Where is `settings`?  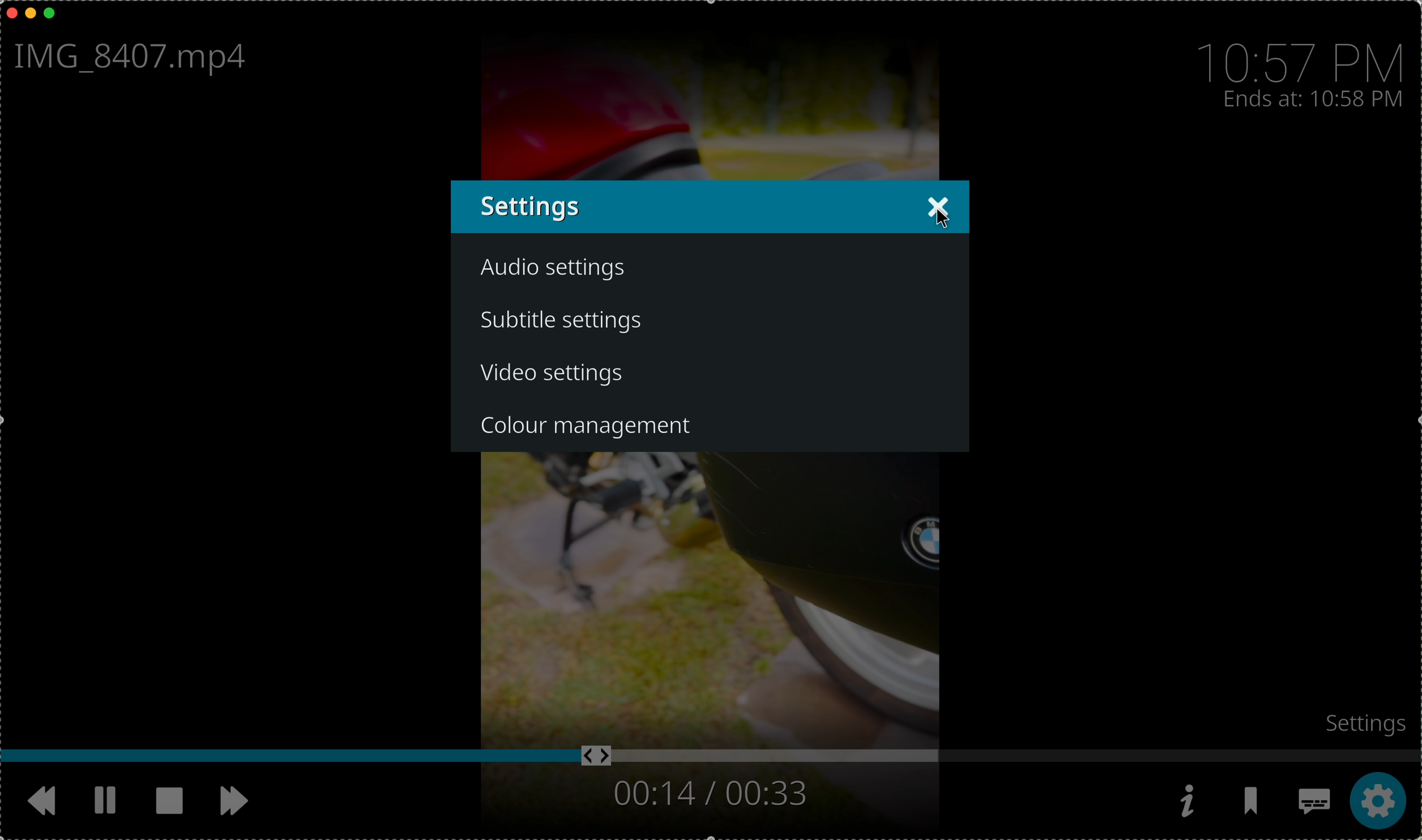
settings is located at coordinates (676, 207).